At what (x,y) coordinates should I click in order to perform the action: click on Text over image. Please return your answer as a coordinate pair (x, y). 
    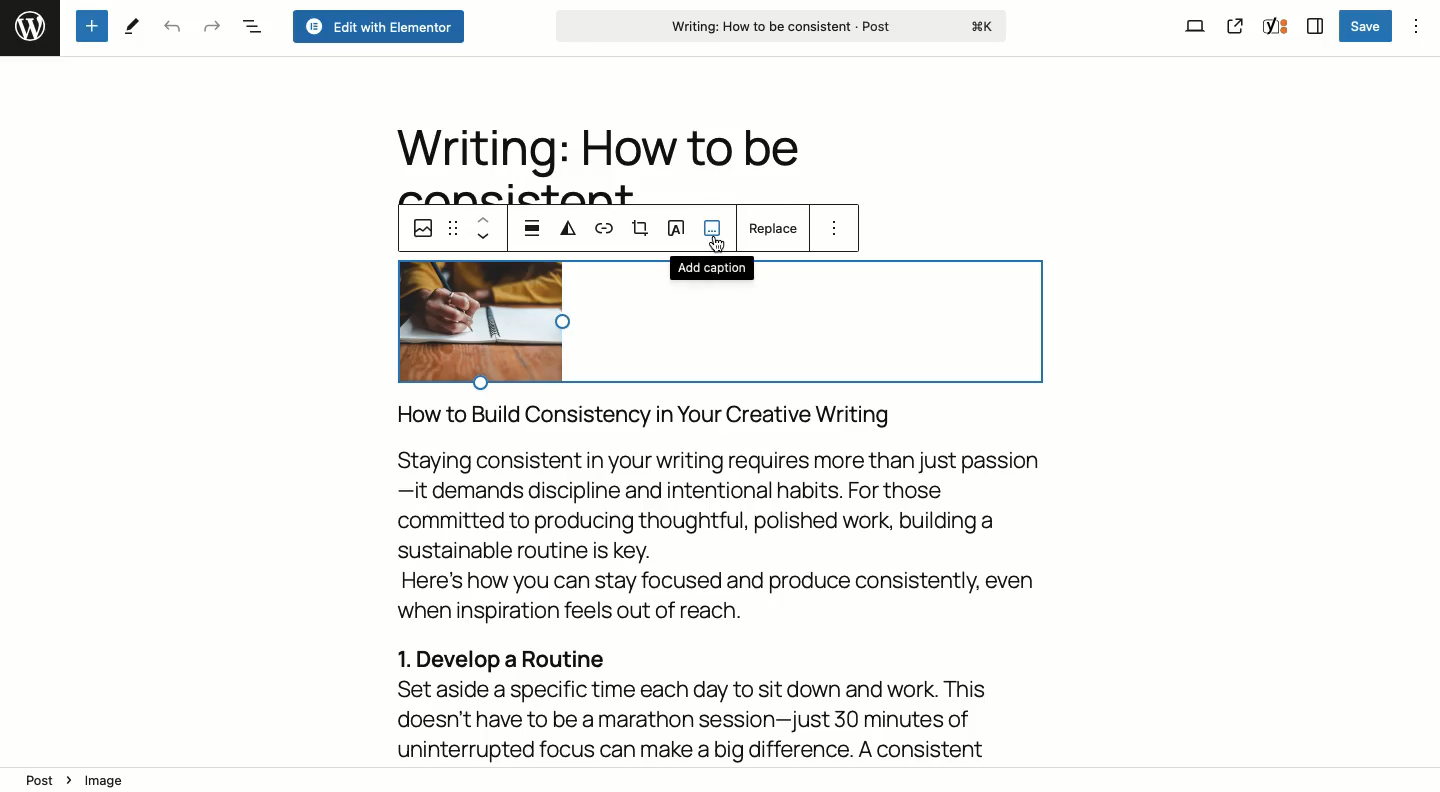
    Looking at the image, I should click on (677, 227).